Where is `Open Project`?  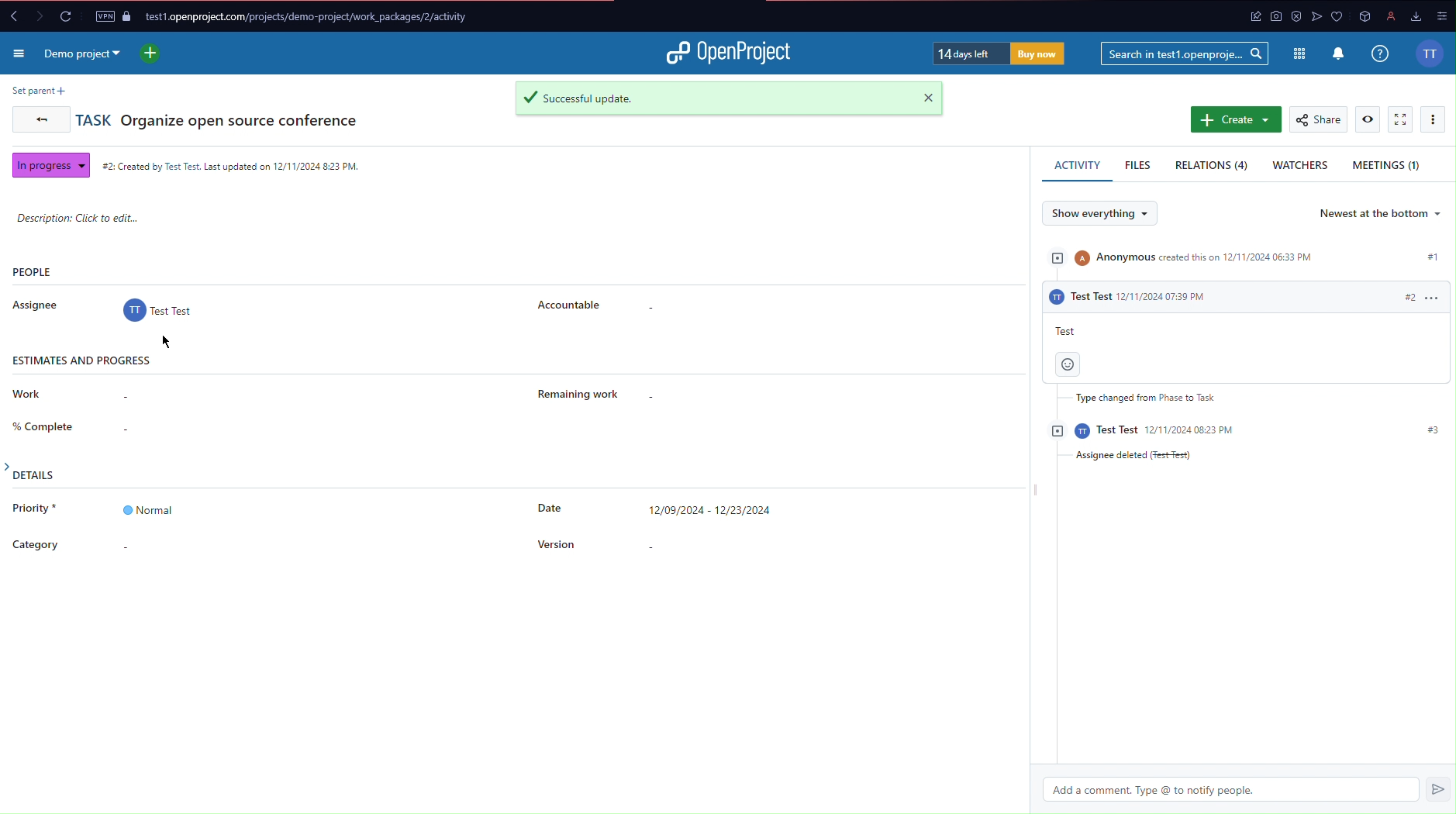
Open Project is located at coordinates (730, 57).